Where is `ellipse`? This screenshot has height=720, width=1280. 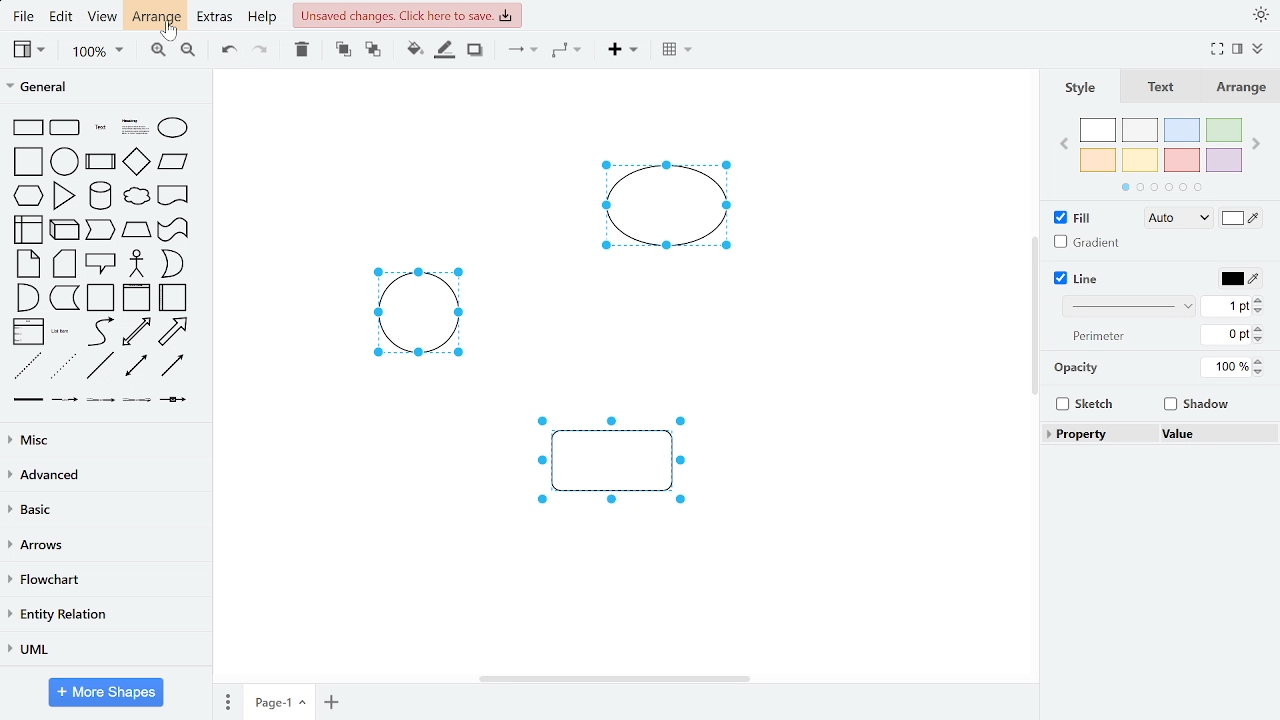 ellipse is located at coordinates (172, 128).